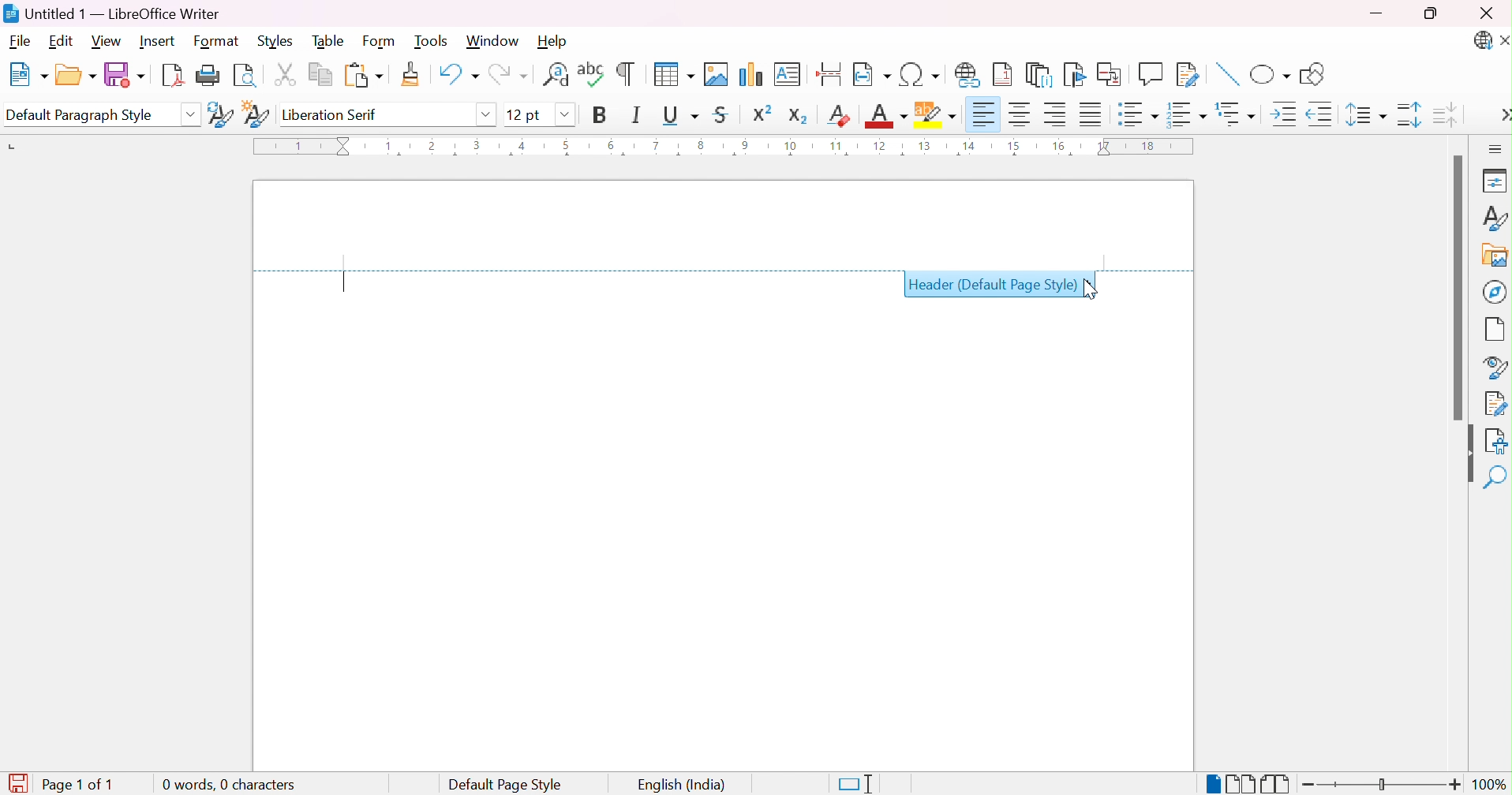  I want to click on Styles, so click(1496, 218).